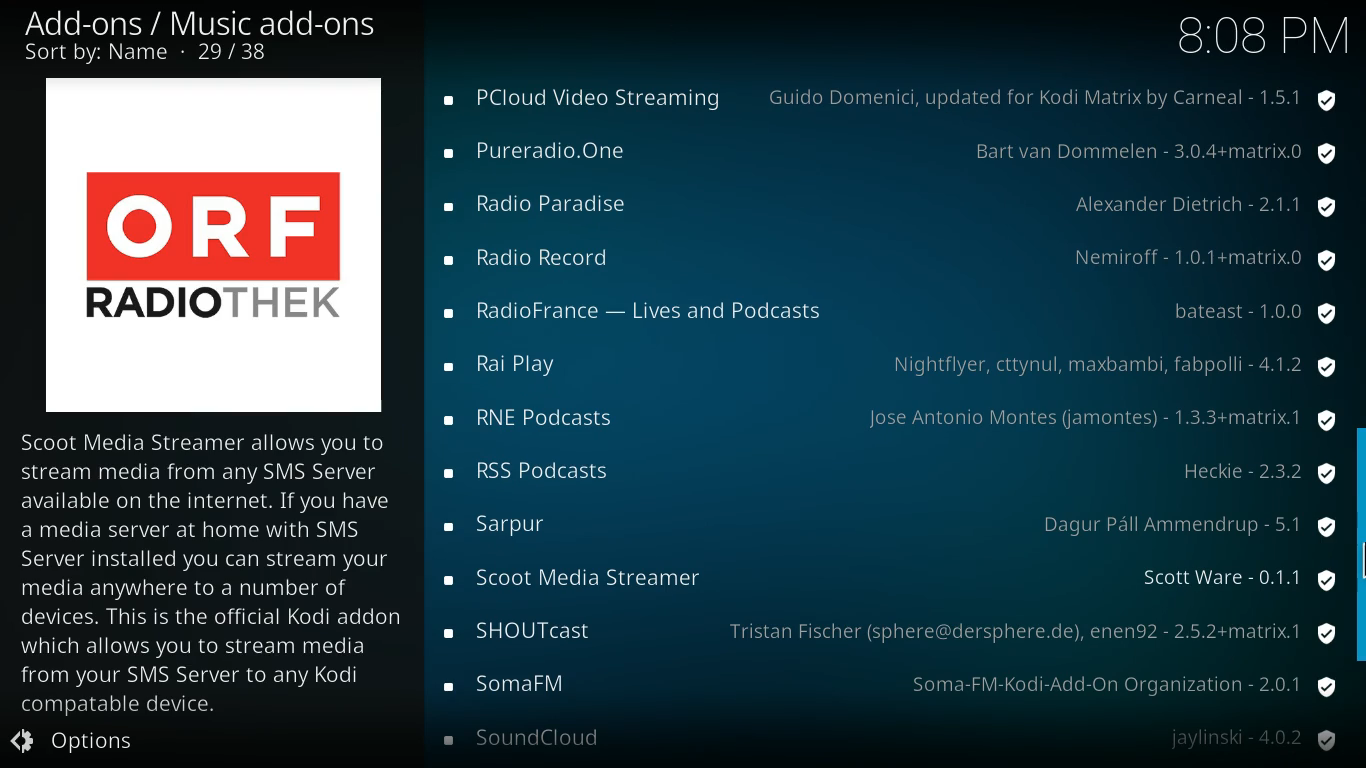  Describe the element at coordinates (581, 575) in the screenshot. I see `add-on` at that location.